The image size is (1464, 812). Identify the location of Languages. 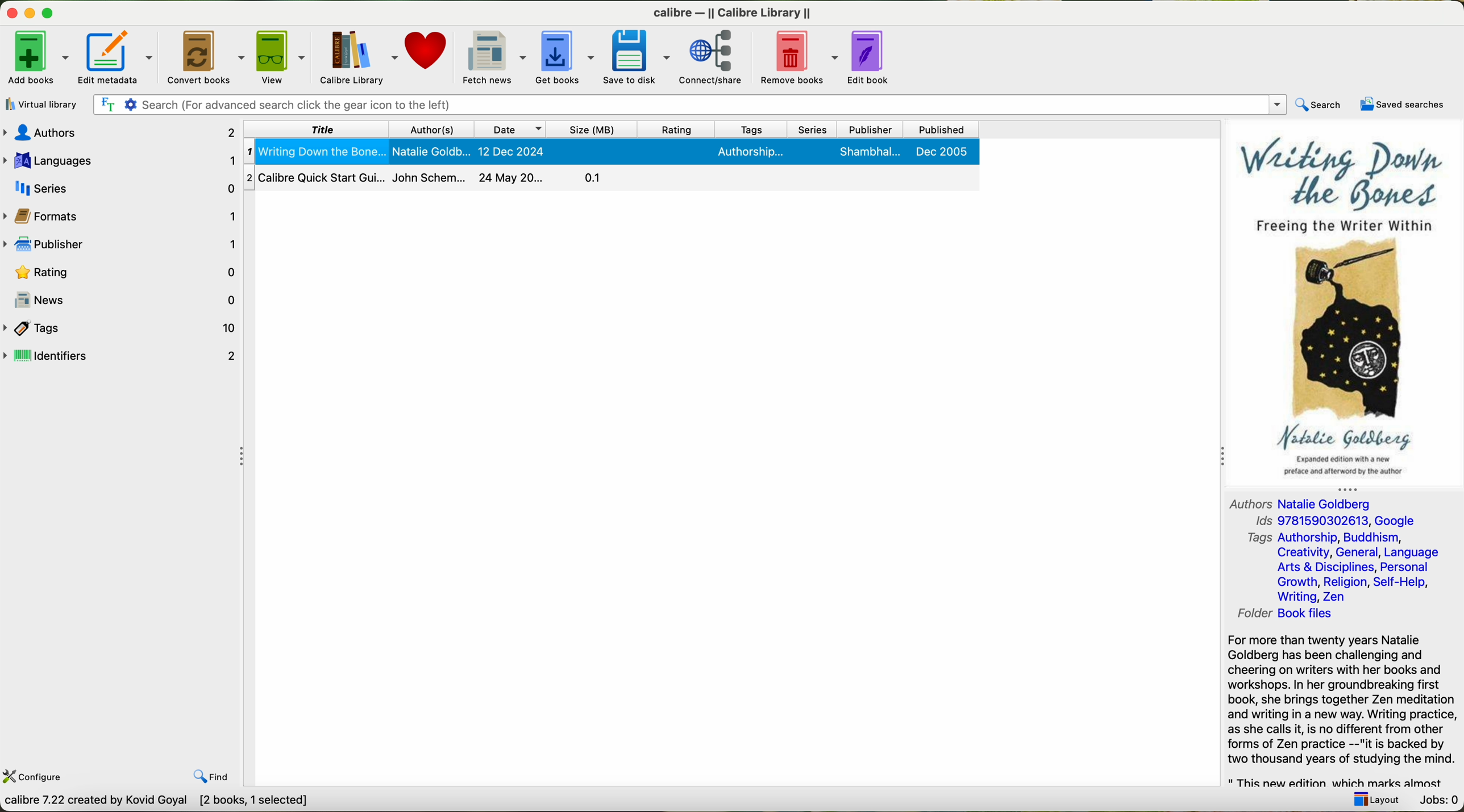
(124, 161).